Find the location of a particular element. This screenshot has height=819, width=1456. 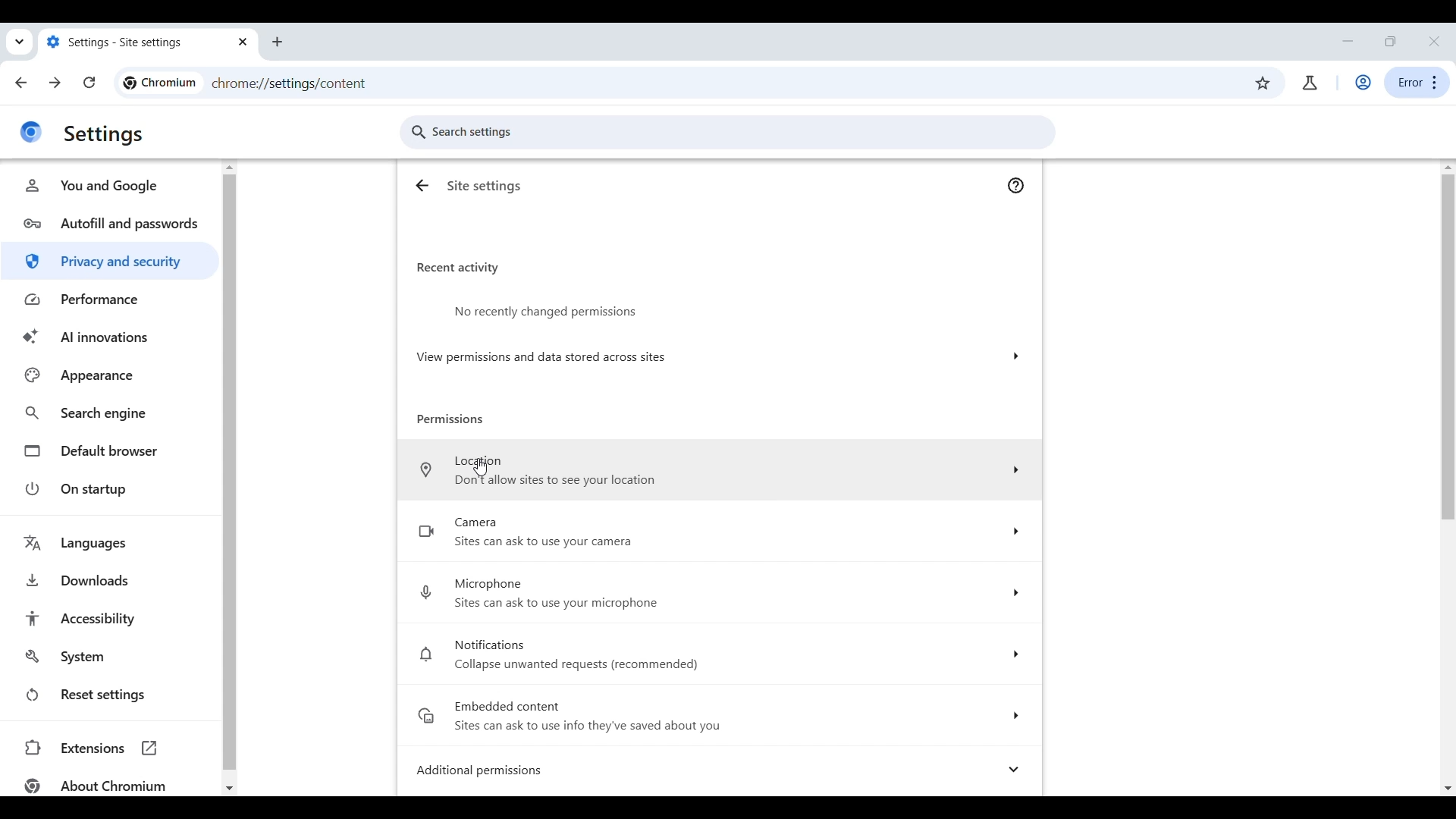

Reset settings is located at coordinates (108, 695).